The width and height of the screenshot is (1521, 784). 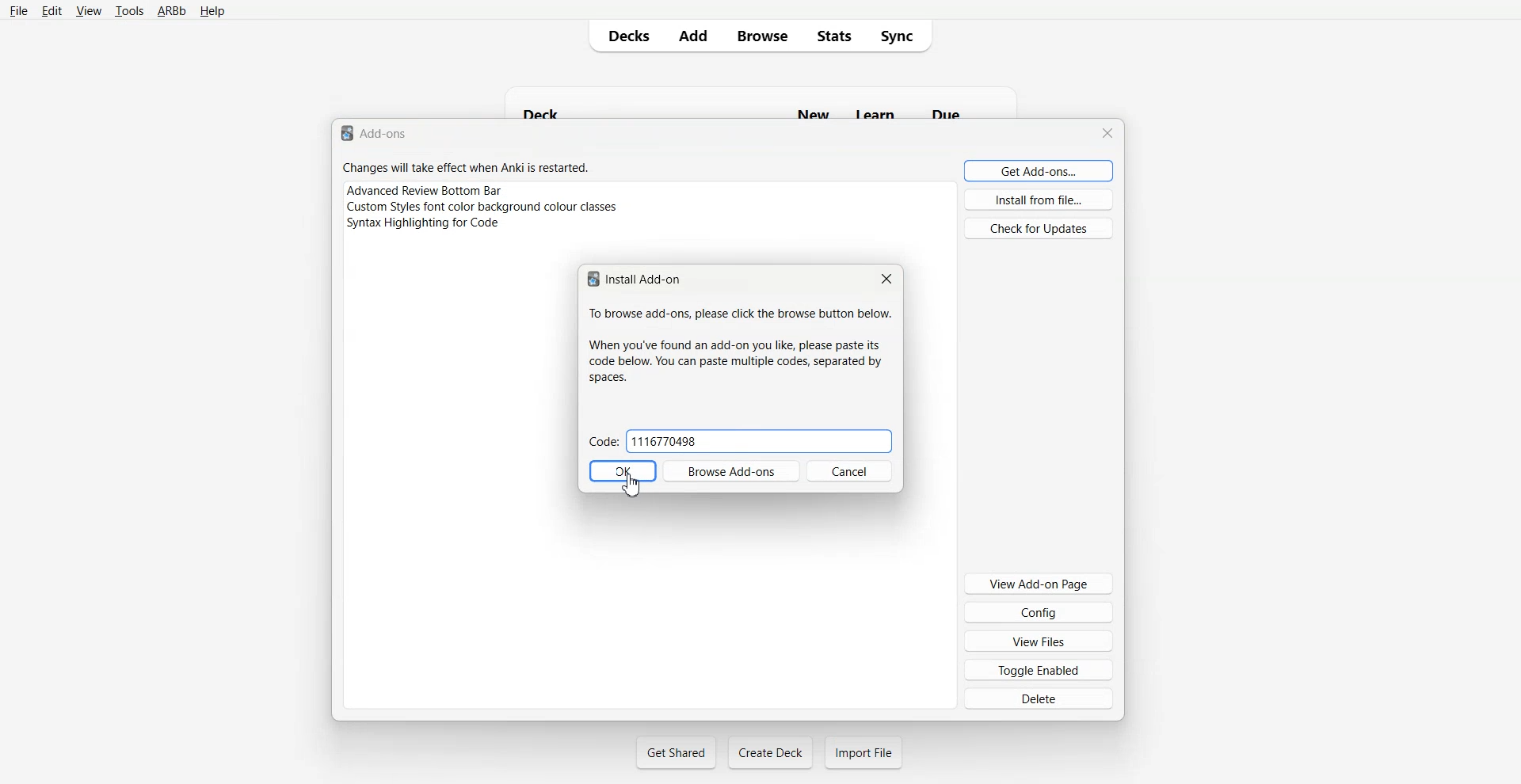 What do you see at coordinates (1039, 170) in the screenshot?
I see `Get Add-ons` at bounding box center [1039, 170].